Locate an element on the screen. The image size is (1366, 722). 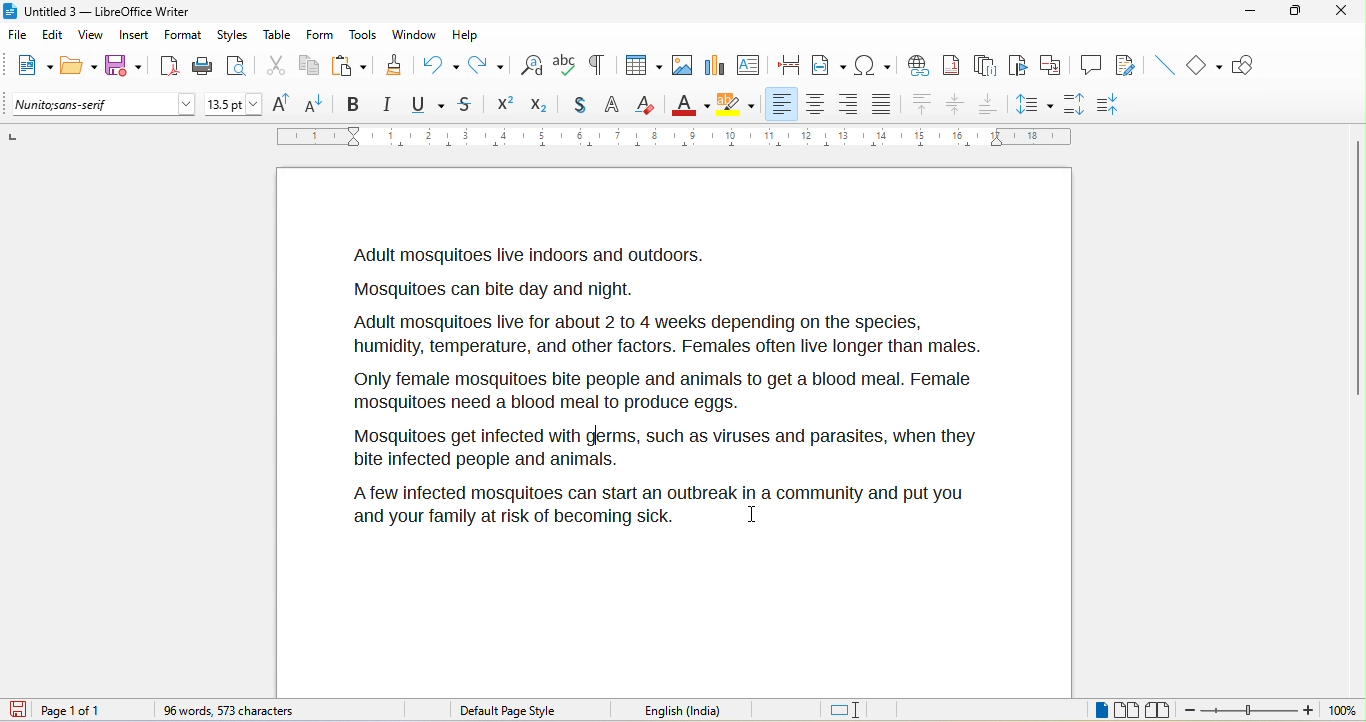
decrease paragraph spacing is located at coordinates (1121, 102).